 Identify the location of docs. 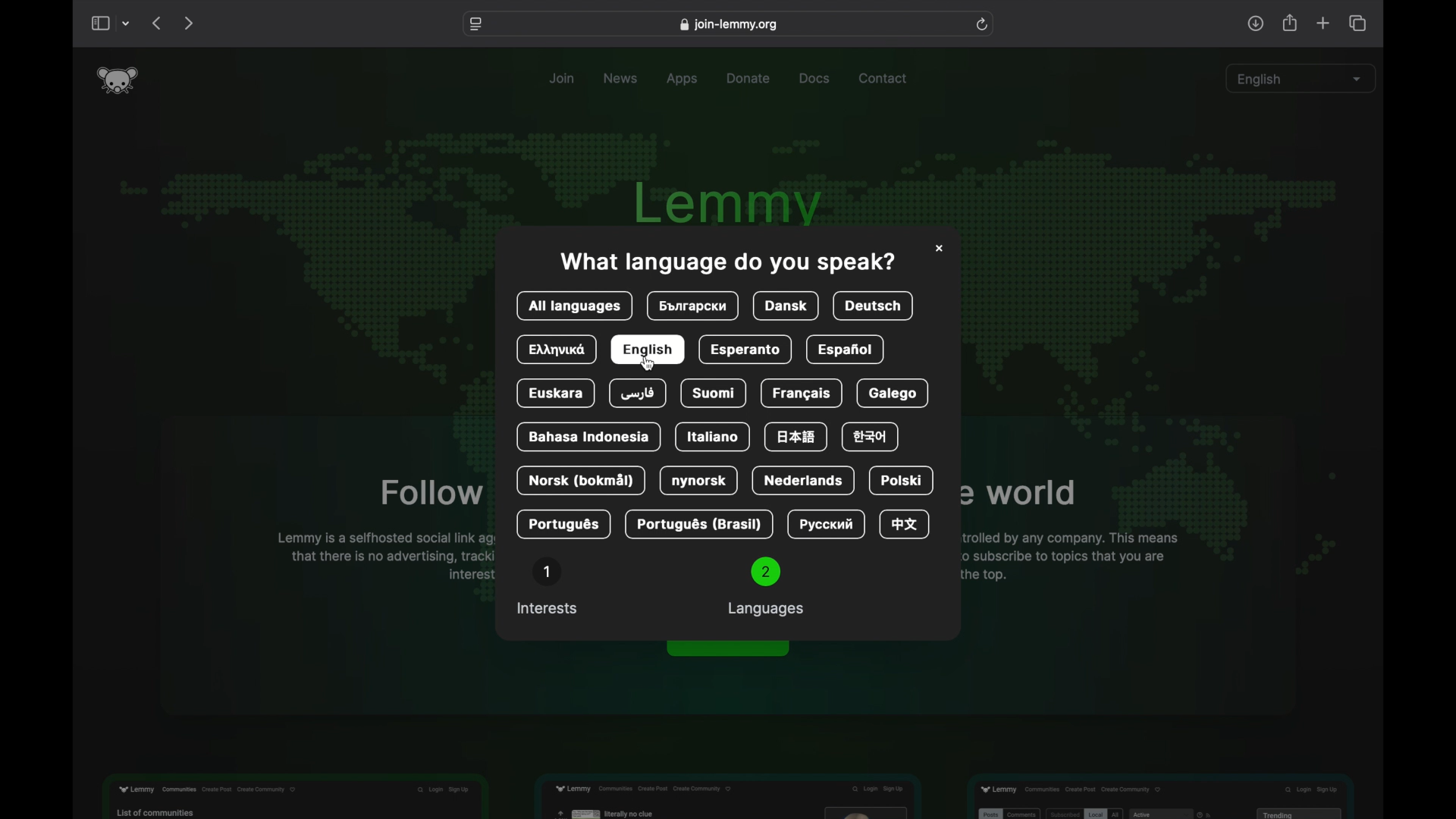
(814, 78).